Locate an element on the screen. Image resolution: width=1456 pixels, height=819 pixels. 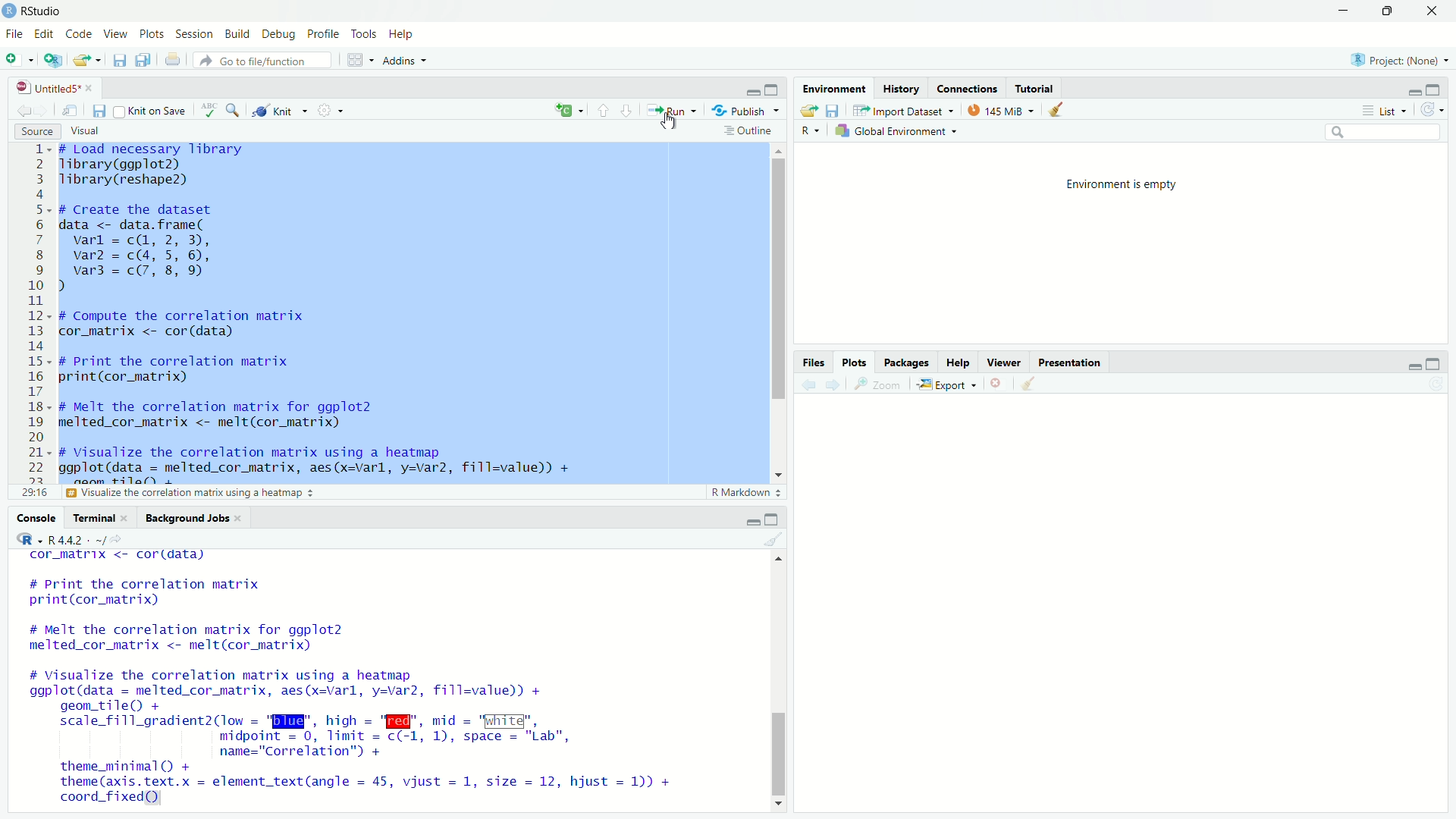
file name: untitled5 is located at coordinates (50, 88).